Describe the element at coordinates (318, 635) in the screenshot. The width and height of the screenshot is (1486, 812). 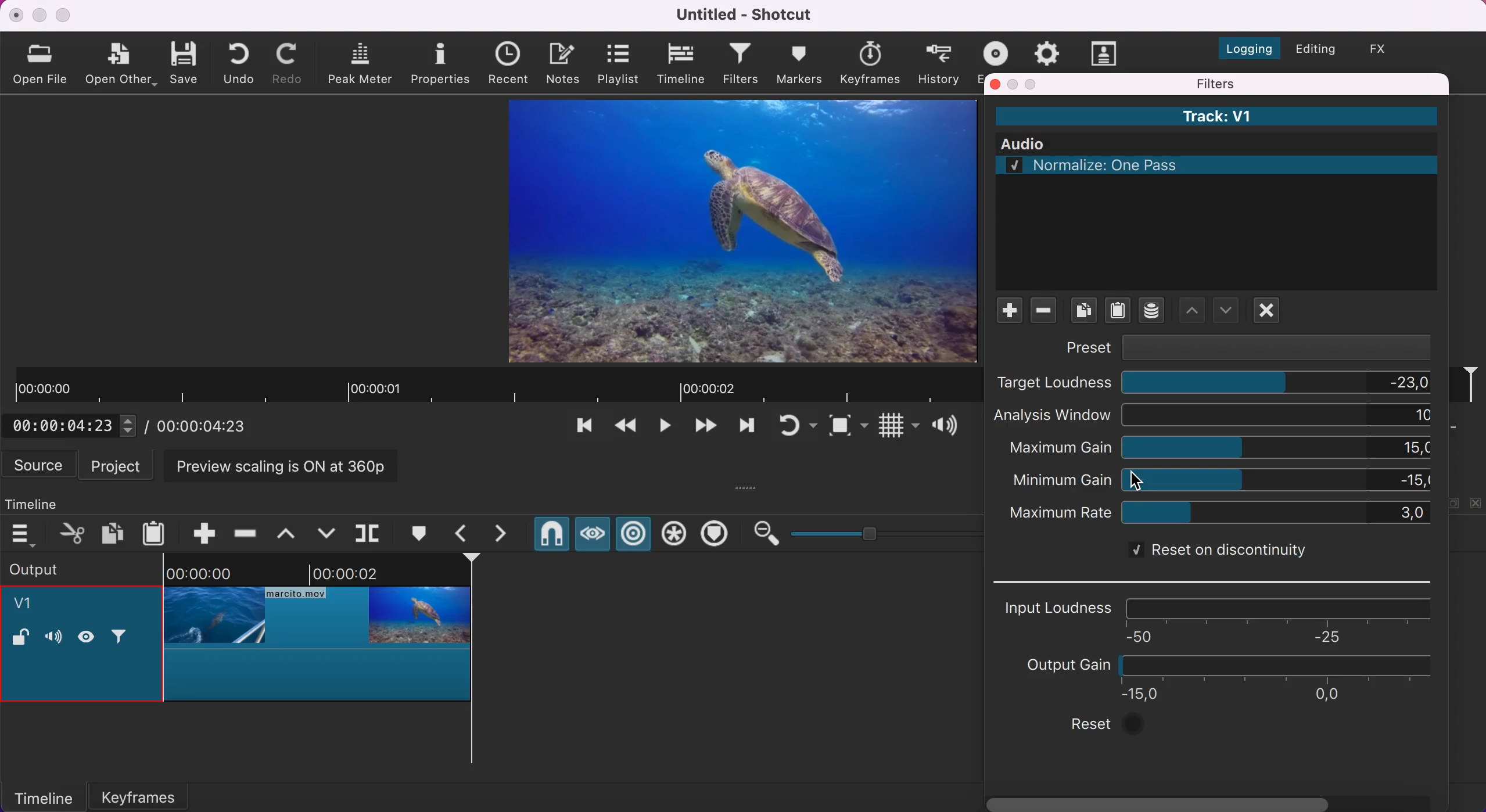
I see `cropped clip` at that location.